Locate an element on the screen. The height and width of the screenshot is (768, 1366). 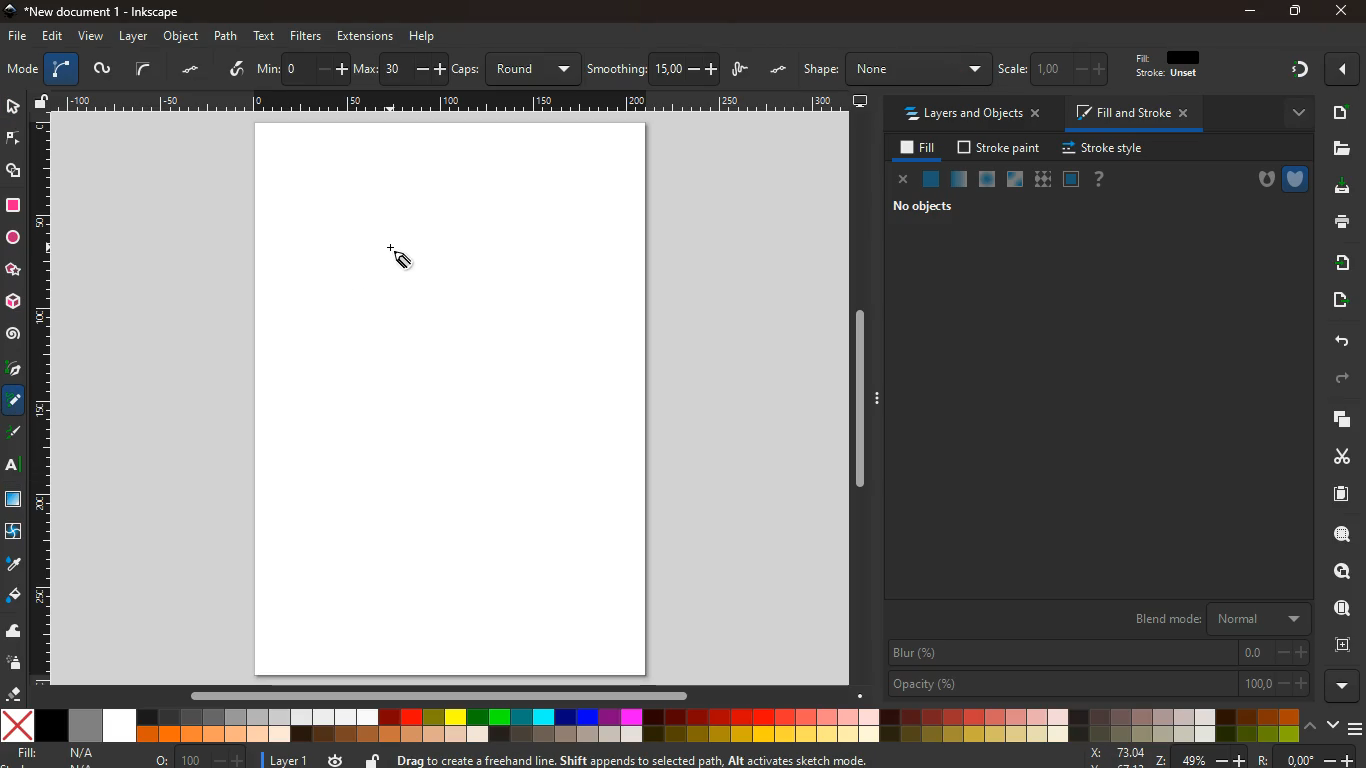
object is located at coordinates (183, 36).